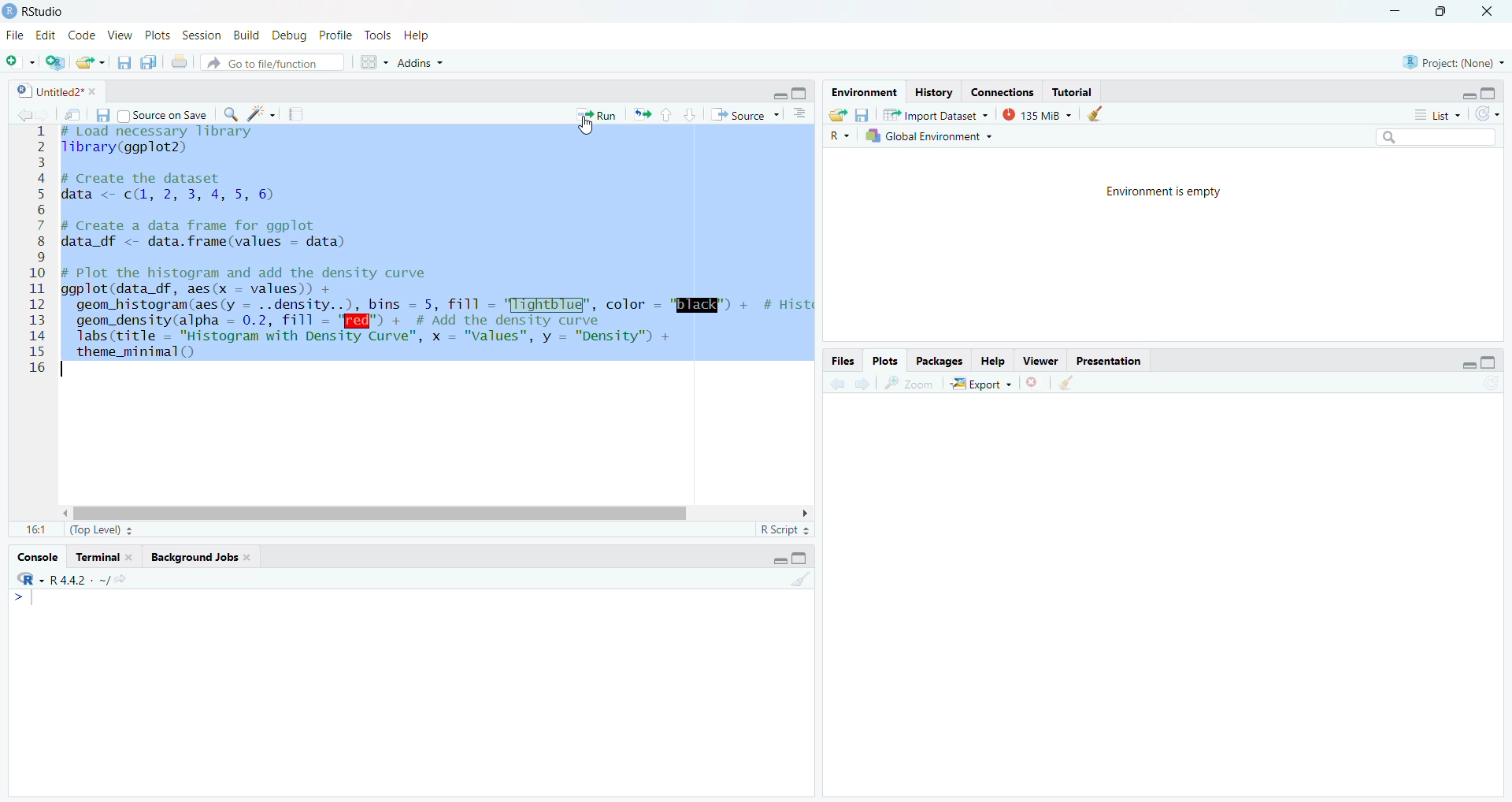  What do you see at coordinates (1002, 91) in the screenshot?
I see `Connections` at bounding box center [1002, 91].